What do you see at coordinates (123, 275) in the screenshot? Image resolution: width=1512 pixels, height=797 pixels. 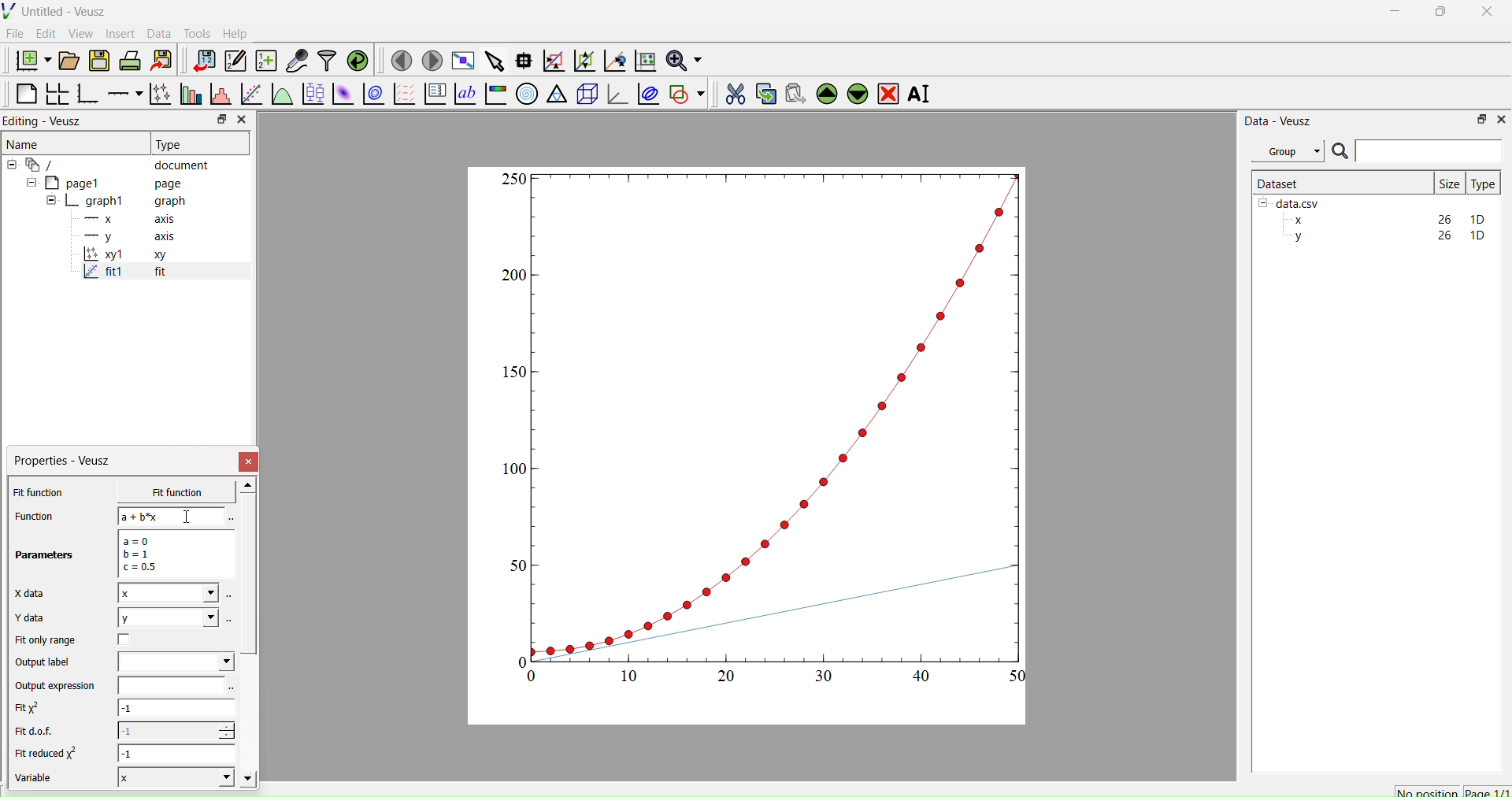 I see `fit1 fit` at bounding box center [123, 275].